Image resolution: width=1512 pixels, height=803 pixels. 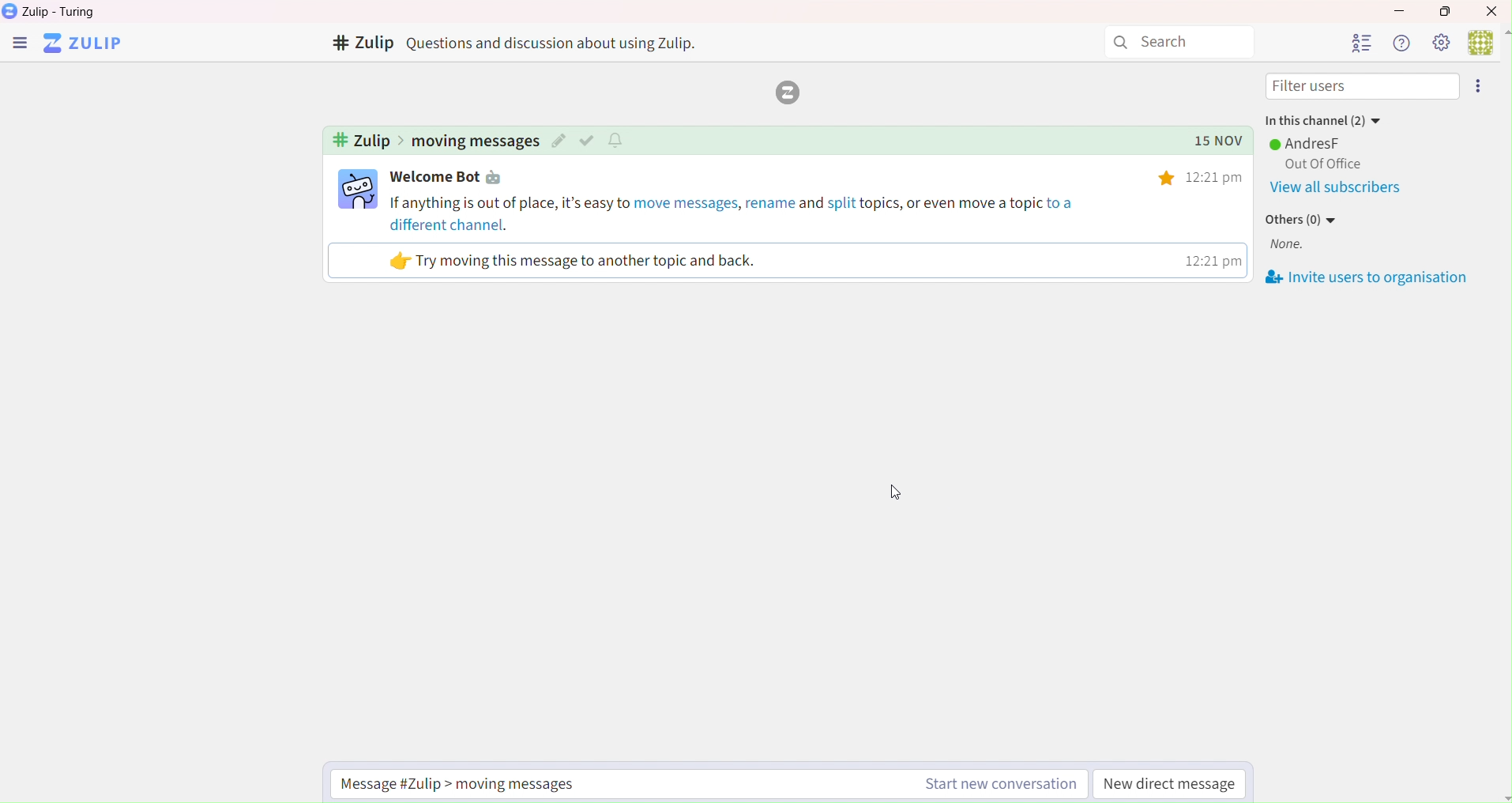 I want to click on notify, so click(x=619, y=139).